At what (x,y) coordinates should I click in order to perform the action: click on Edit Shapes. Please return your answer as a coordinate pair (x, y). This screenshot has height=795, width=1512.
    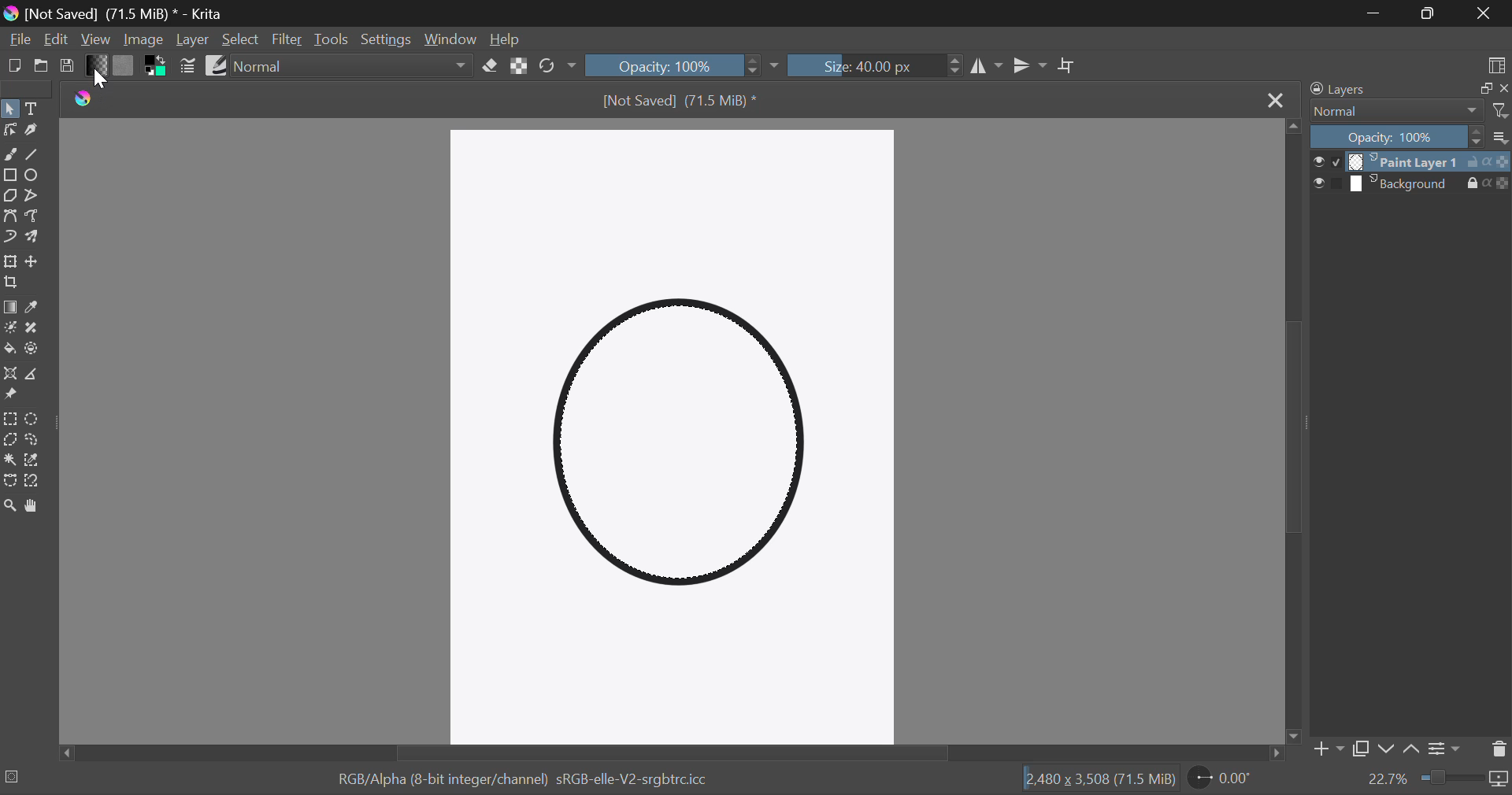
    Looking at the image, I should click on (9, 131).